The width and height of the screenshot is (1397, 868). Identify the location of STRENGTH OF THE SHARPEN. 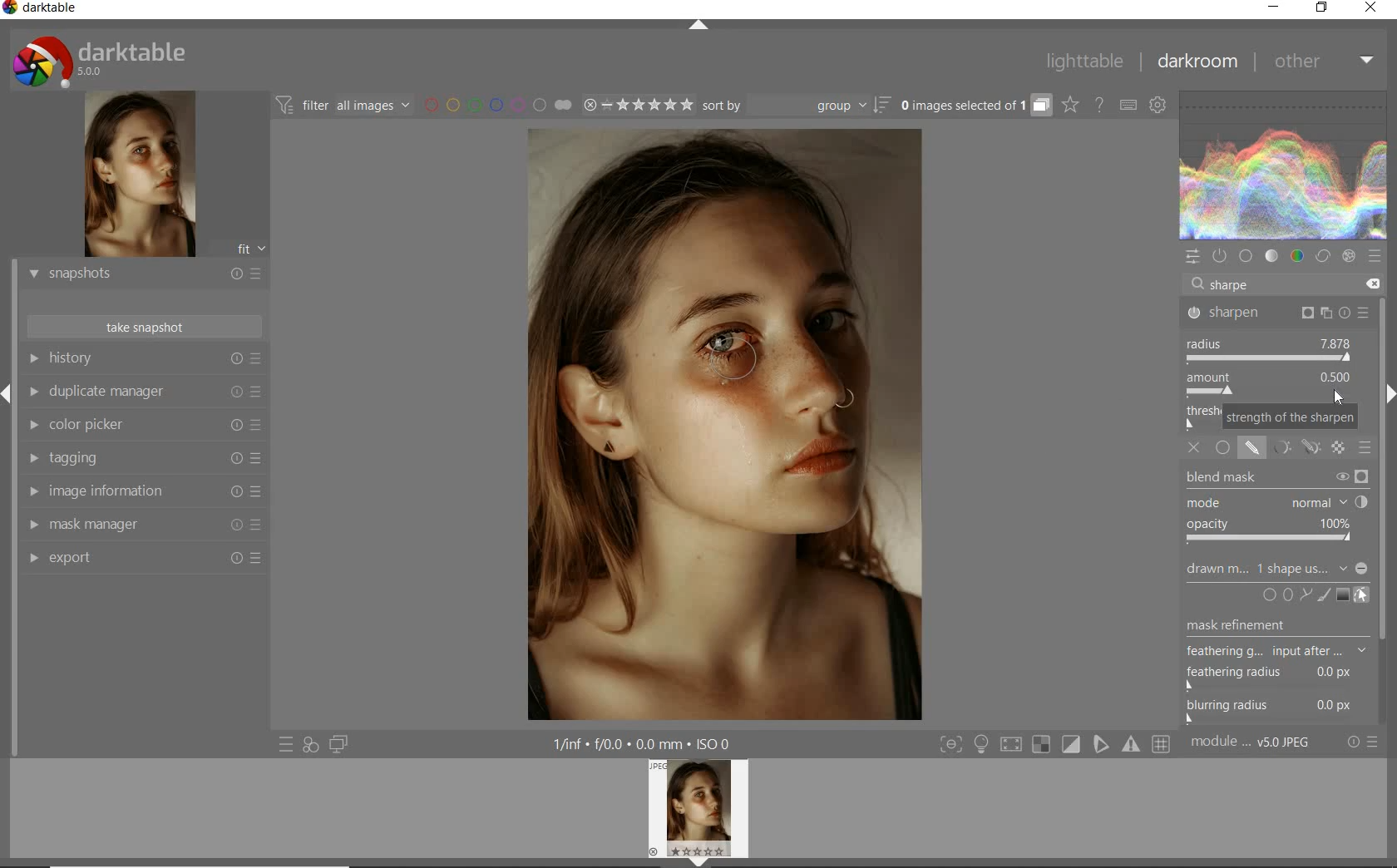
(1289, 418).